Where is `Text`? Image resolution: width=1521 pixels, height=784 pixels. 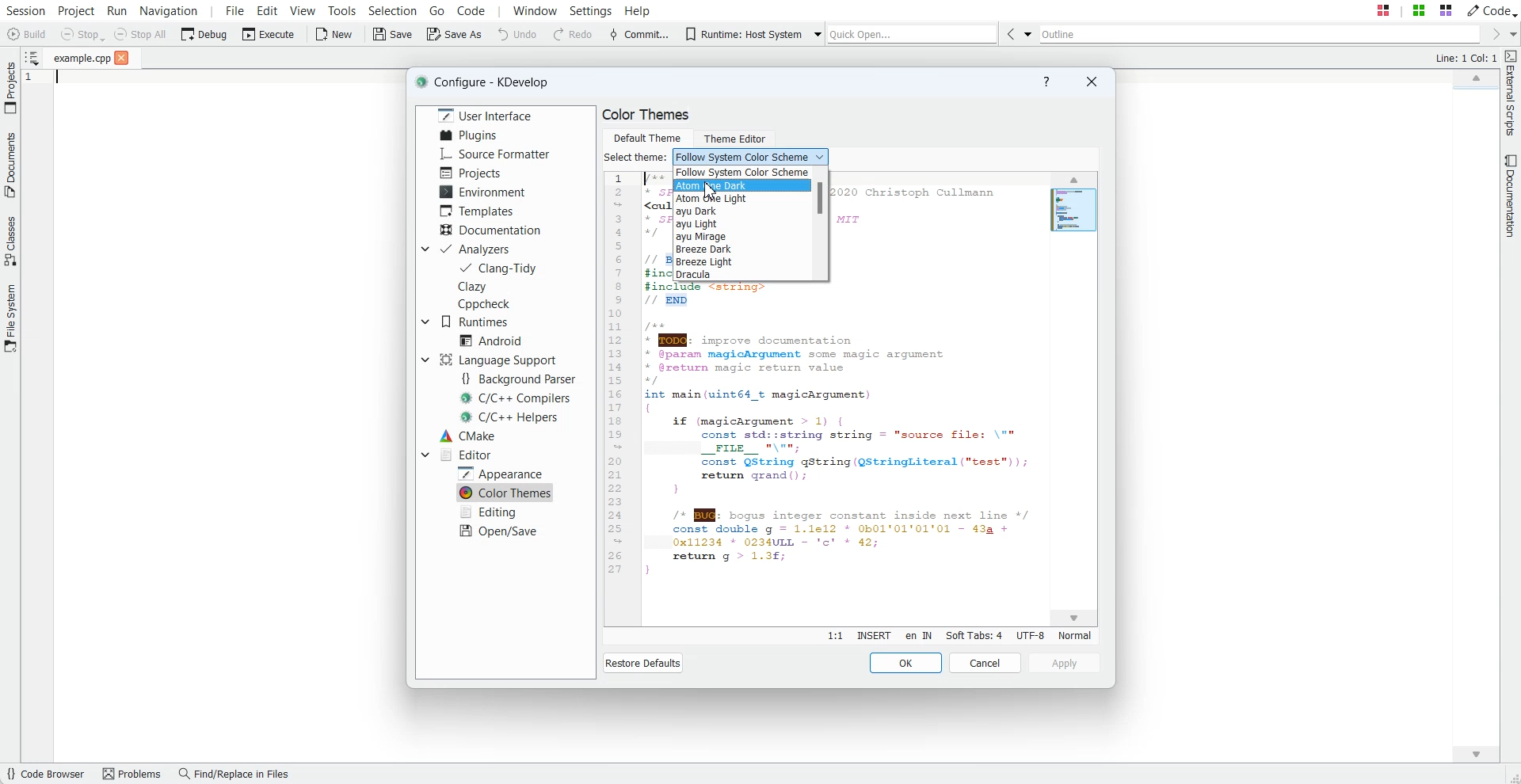
Text is located at coordinates (827, 455).